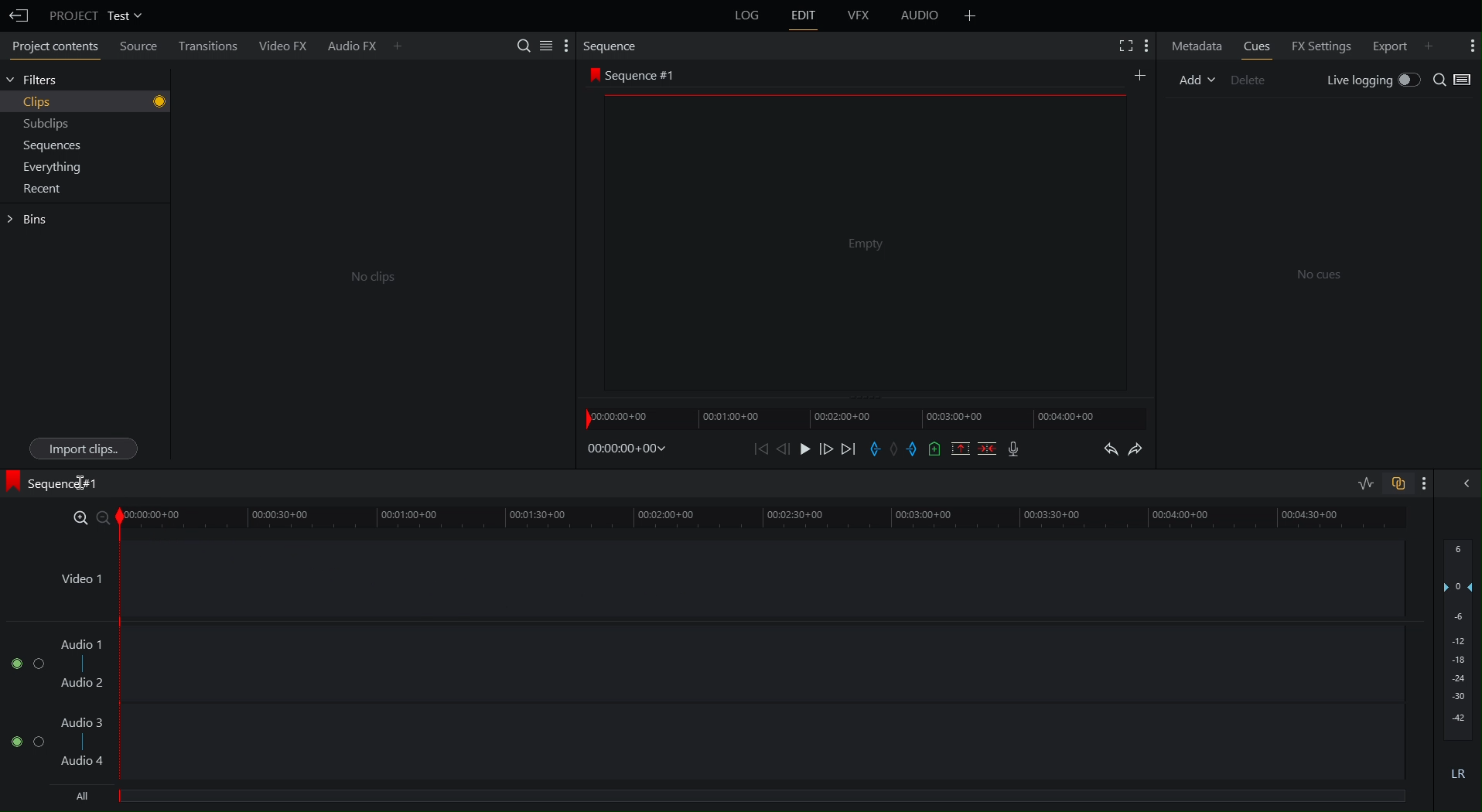 This screenshot has width=1482, height=812. Describe the element at coordinates (862, 15) in the screenshot. I see `VFX` at that location.